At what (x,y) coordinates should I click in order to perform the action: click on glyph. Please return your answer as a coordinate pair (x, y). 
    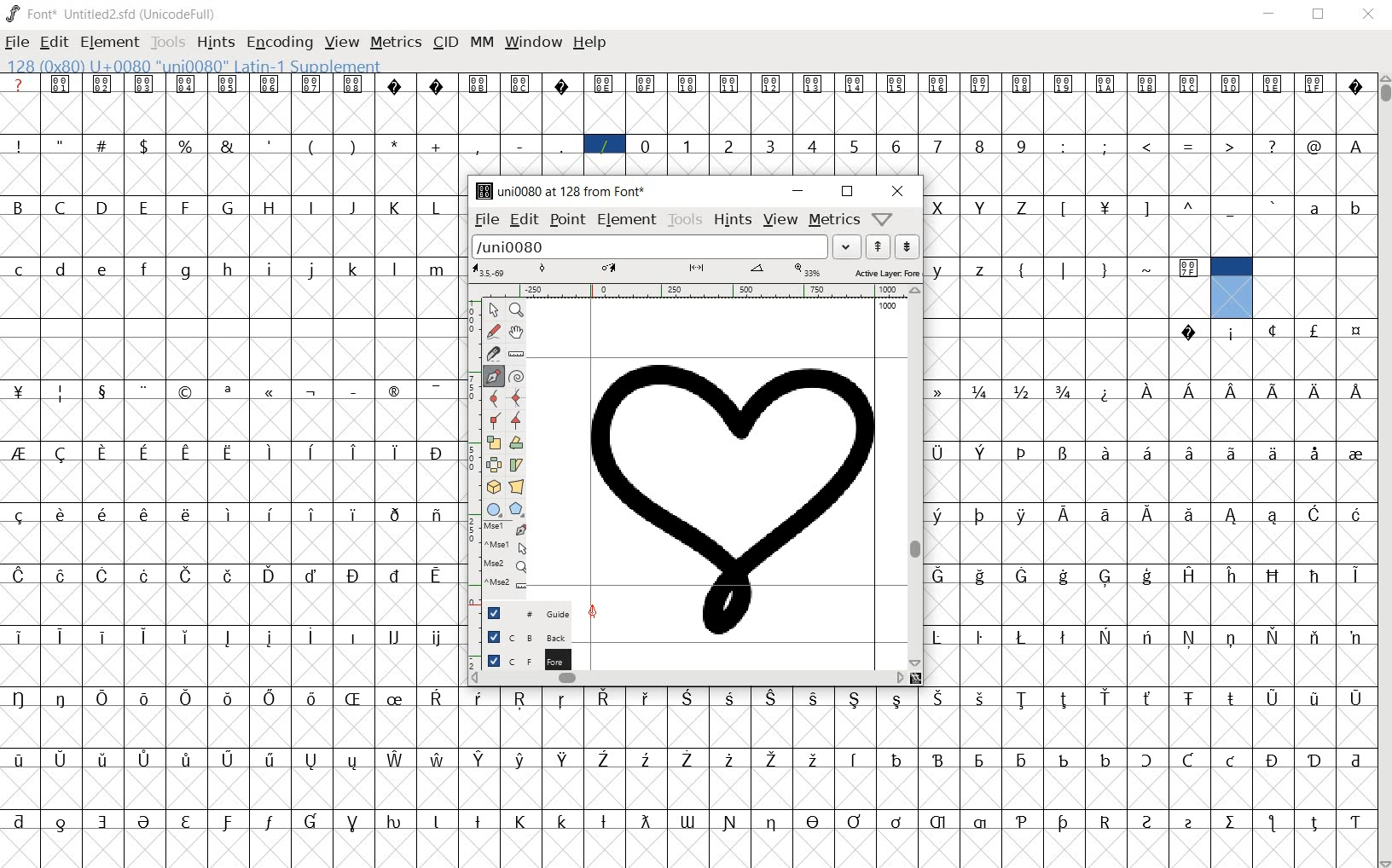
    Looking at the image, I should click on (187, 698).